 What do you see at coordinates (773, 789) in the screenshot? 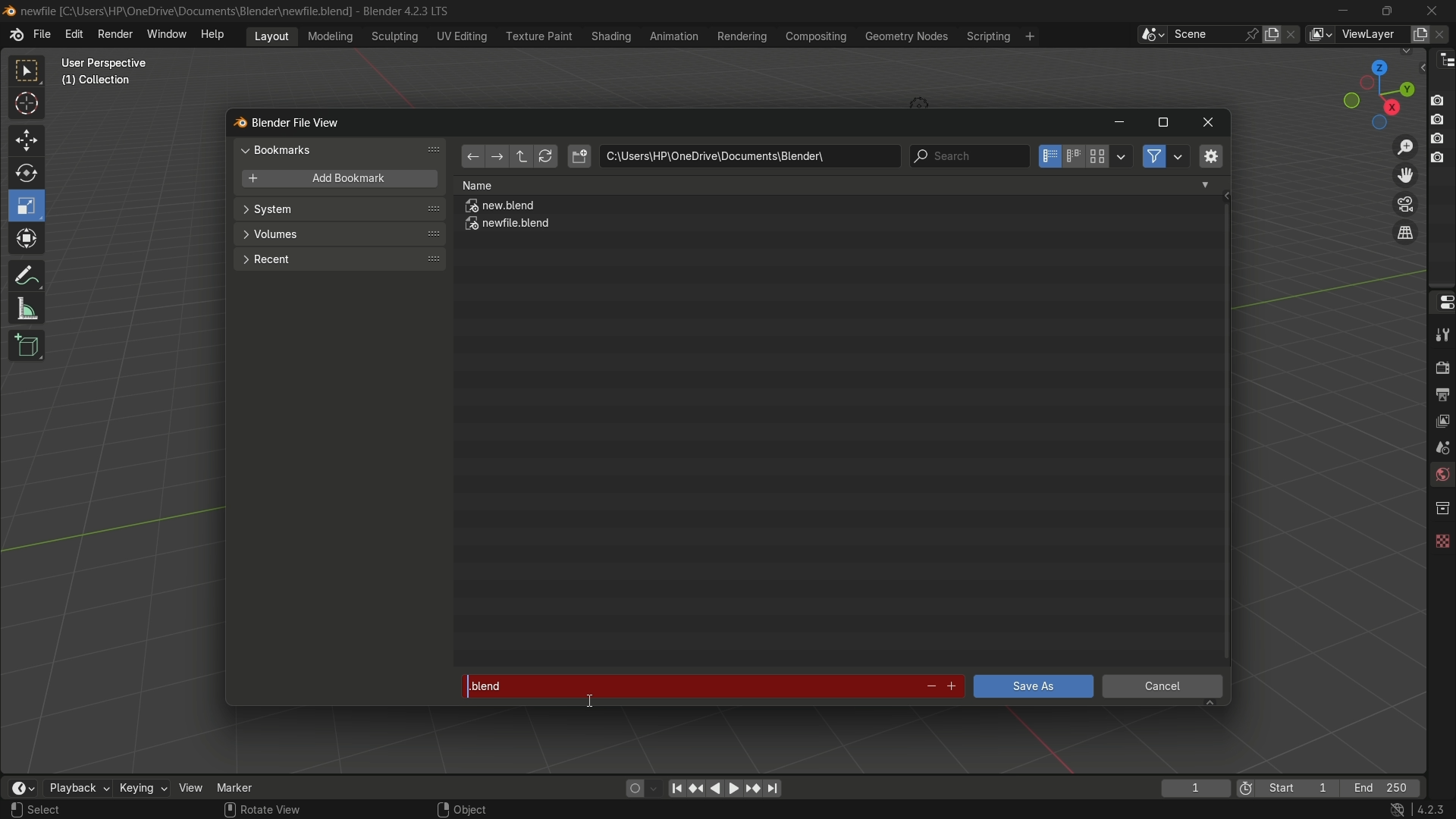
I see `jump to endpoint` at bounding box center [773, 789].